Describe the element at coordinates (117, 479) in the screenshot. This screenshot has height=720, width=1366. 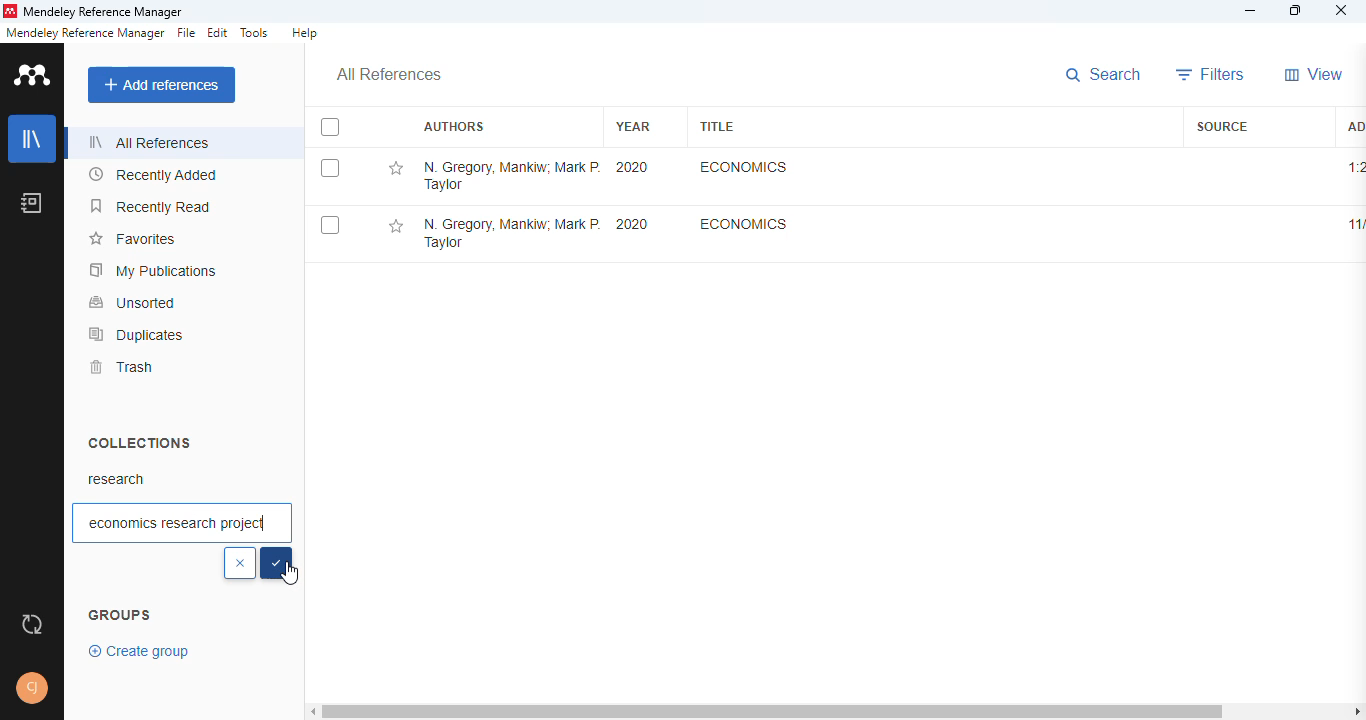
I see `research` at that location.